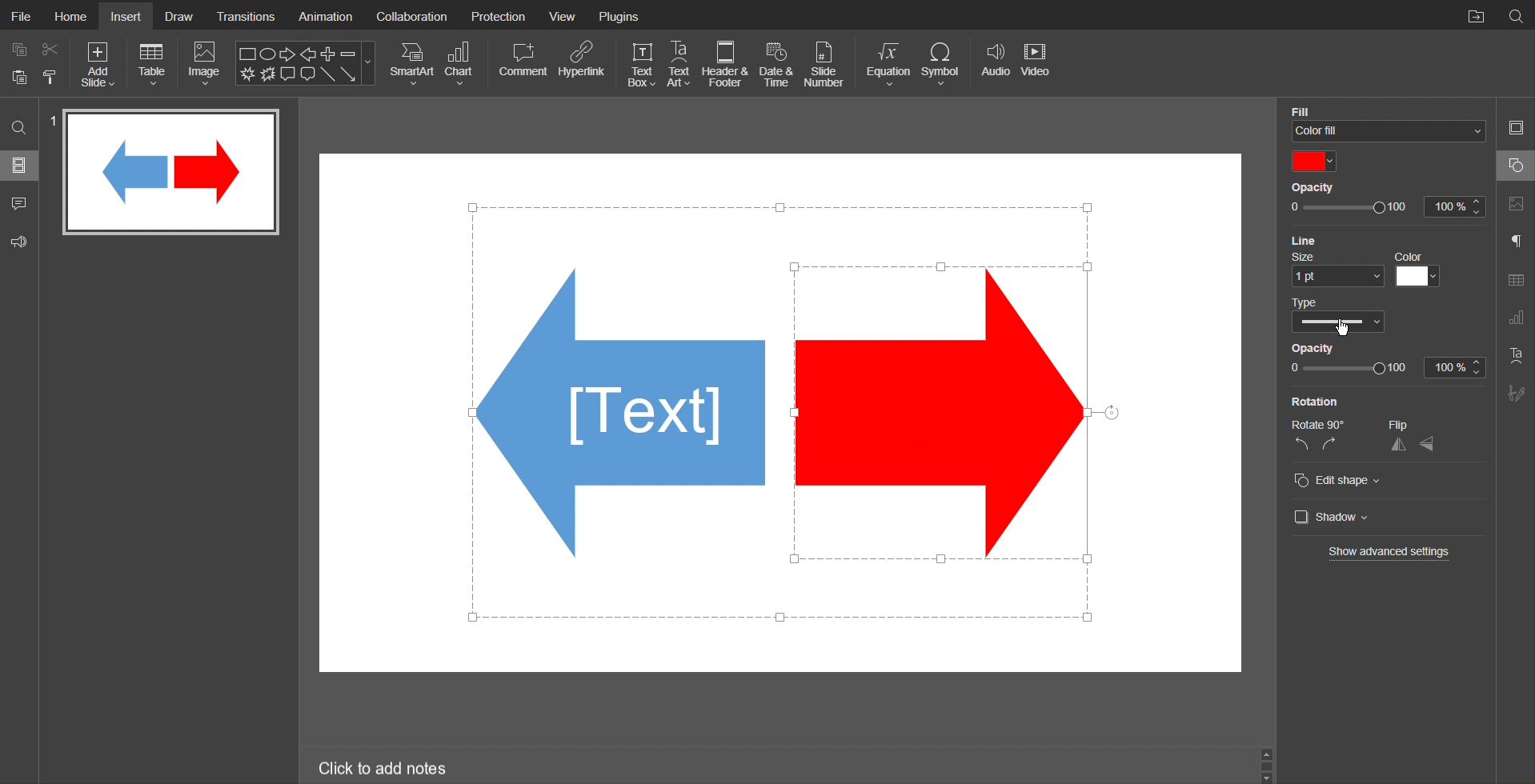 Image resolution: width=1535 pixels, height=784 pixels. What do you see at coordinates (1384, 369) in the screenshot?
I see `100% opacity` at bounding box center [1384, 369].